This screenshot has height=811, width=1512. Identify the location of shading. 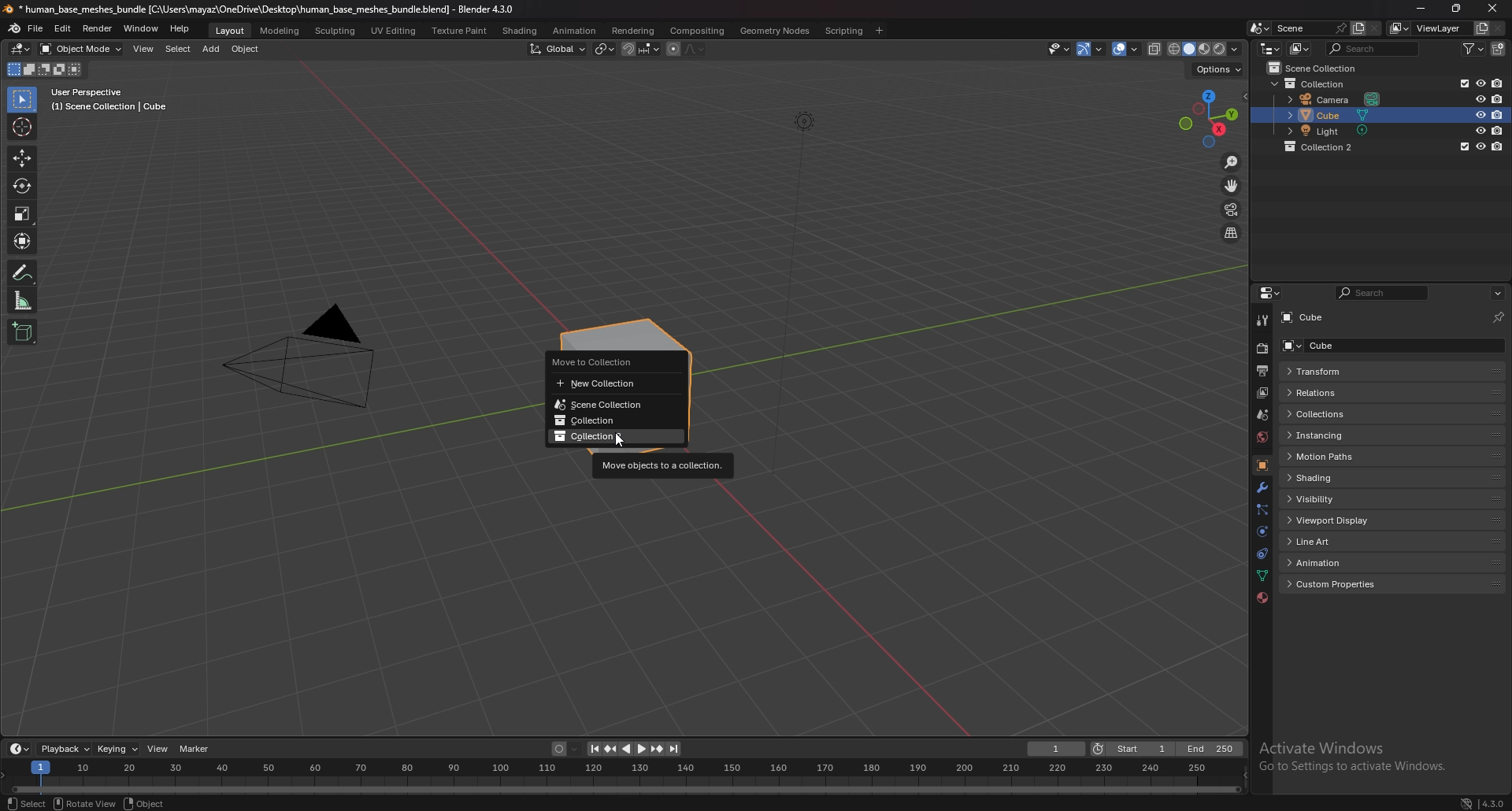
(1235, 48).